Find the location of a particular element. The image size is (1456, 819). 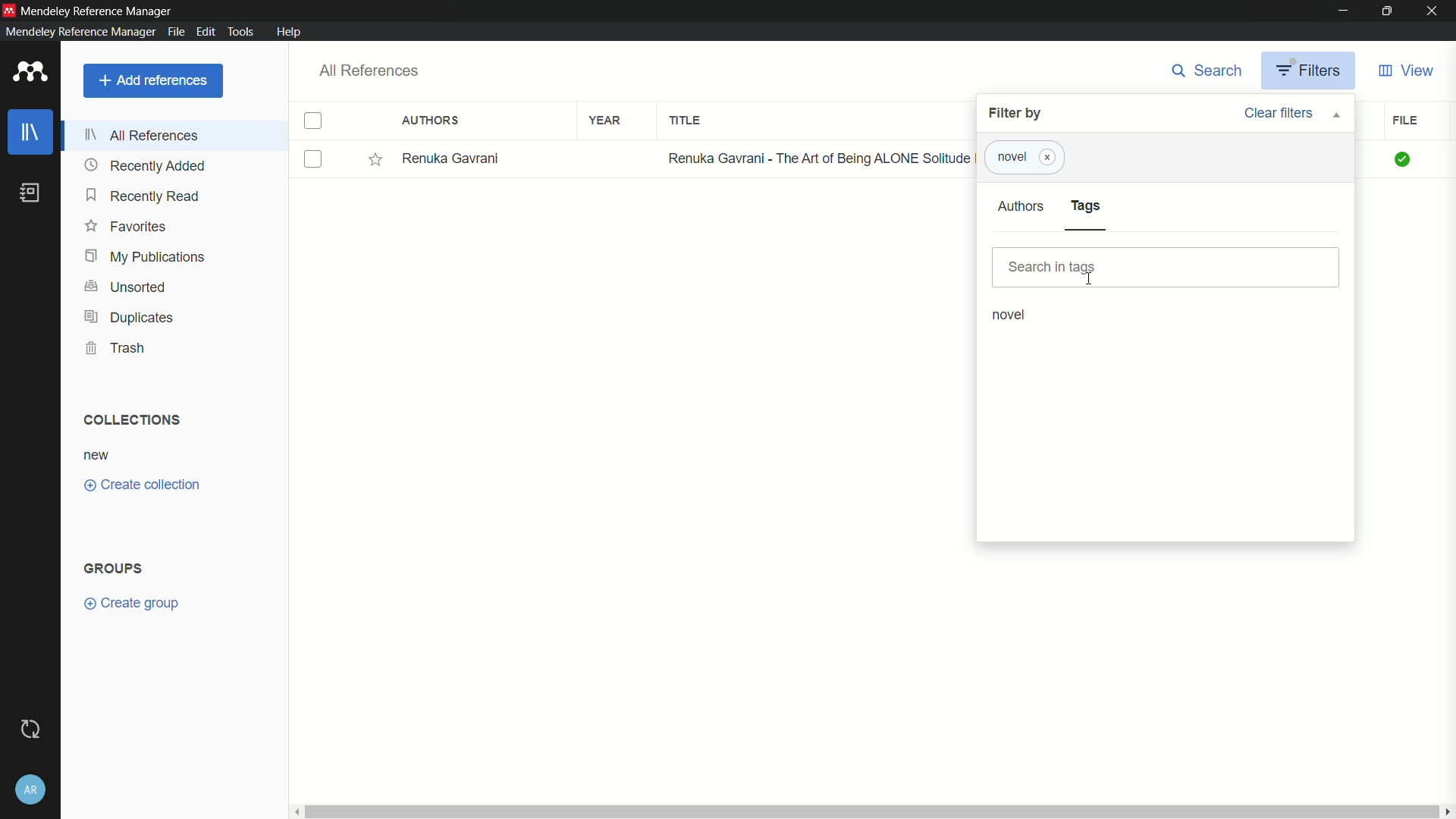

all references is located at coordinates (370, 71).